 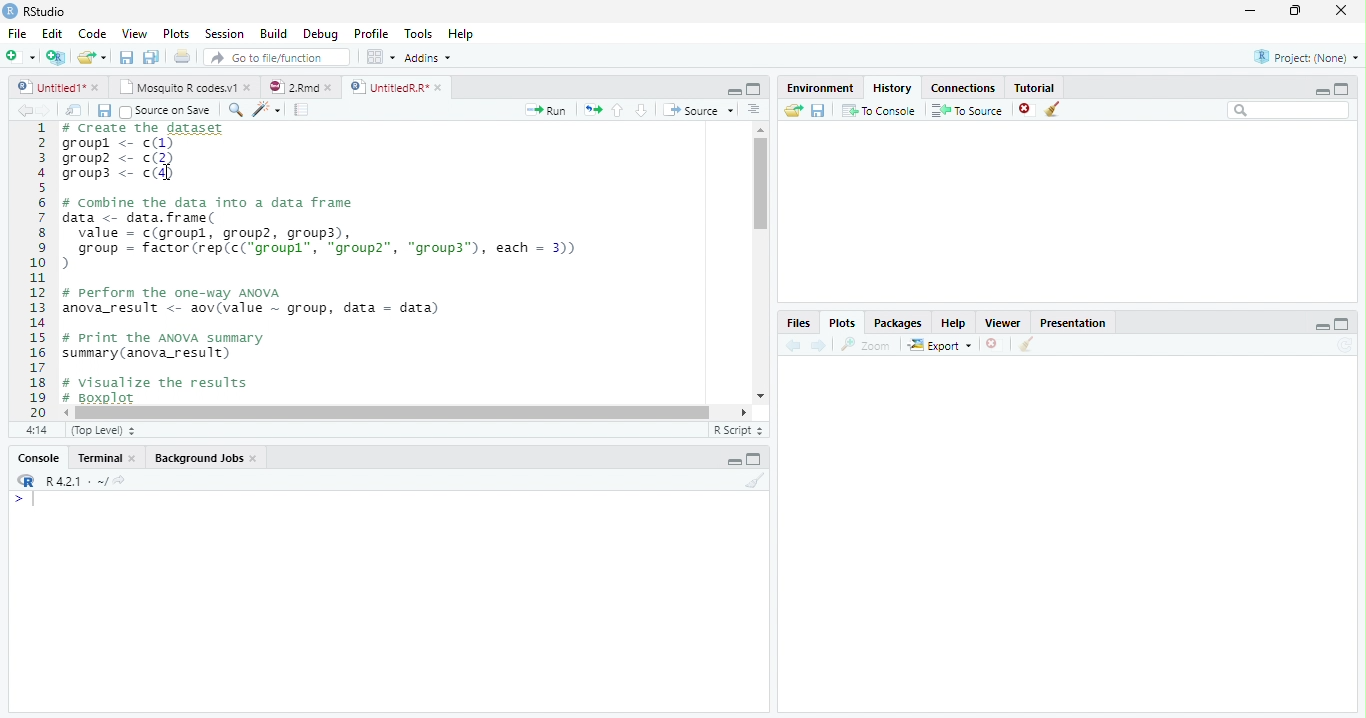 I want to click on Copy pages, so click(x=590, y=109).